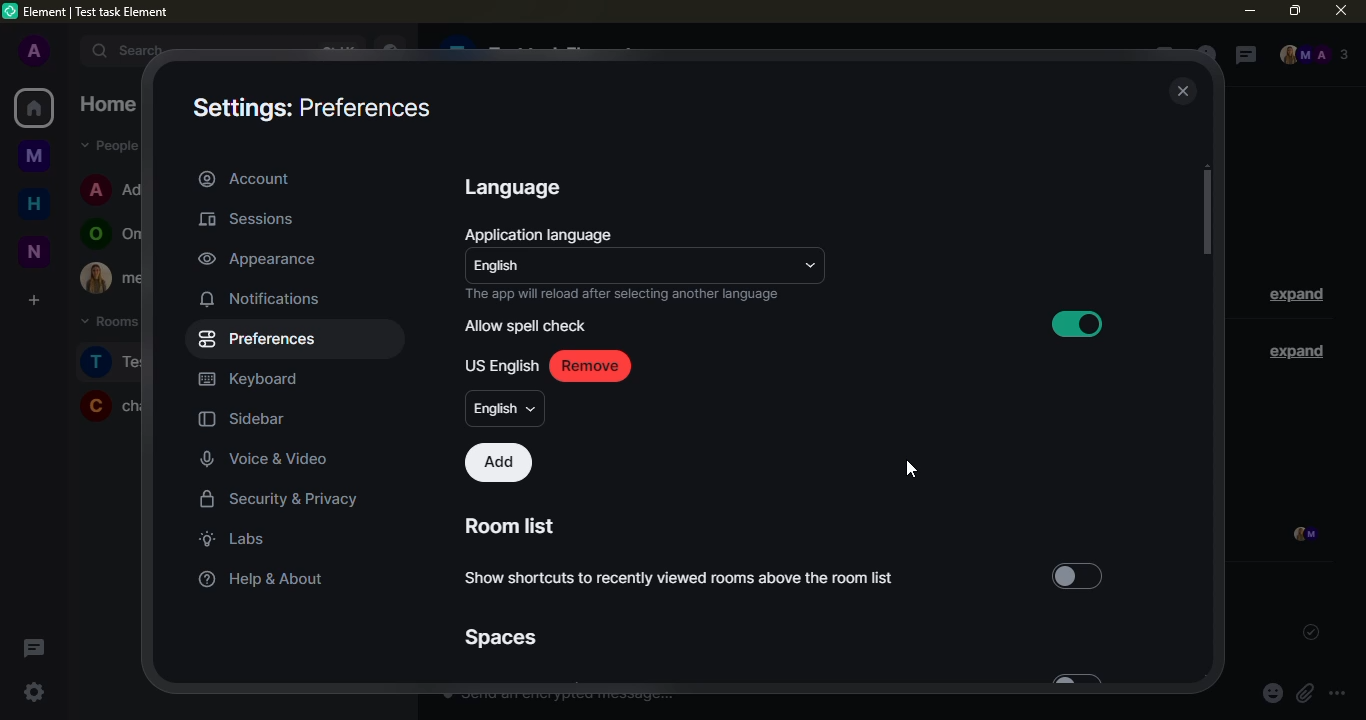 The image size is (1366, 720). What do you see at coordinates (261, 339) in the screenshot?
I see `preferences` at bounding box center [261, 339].